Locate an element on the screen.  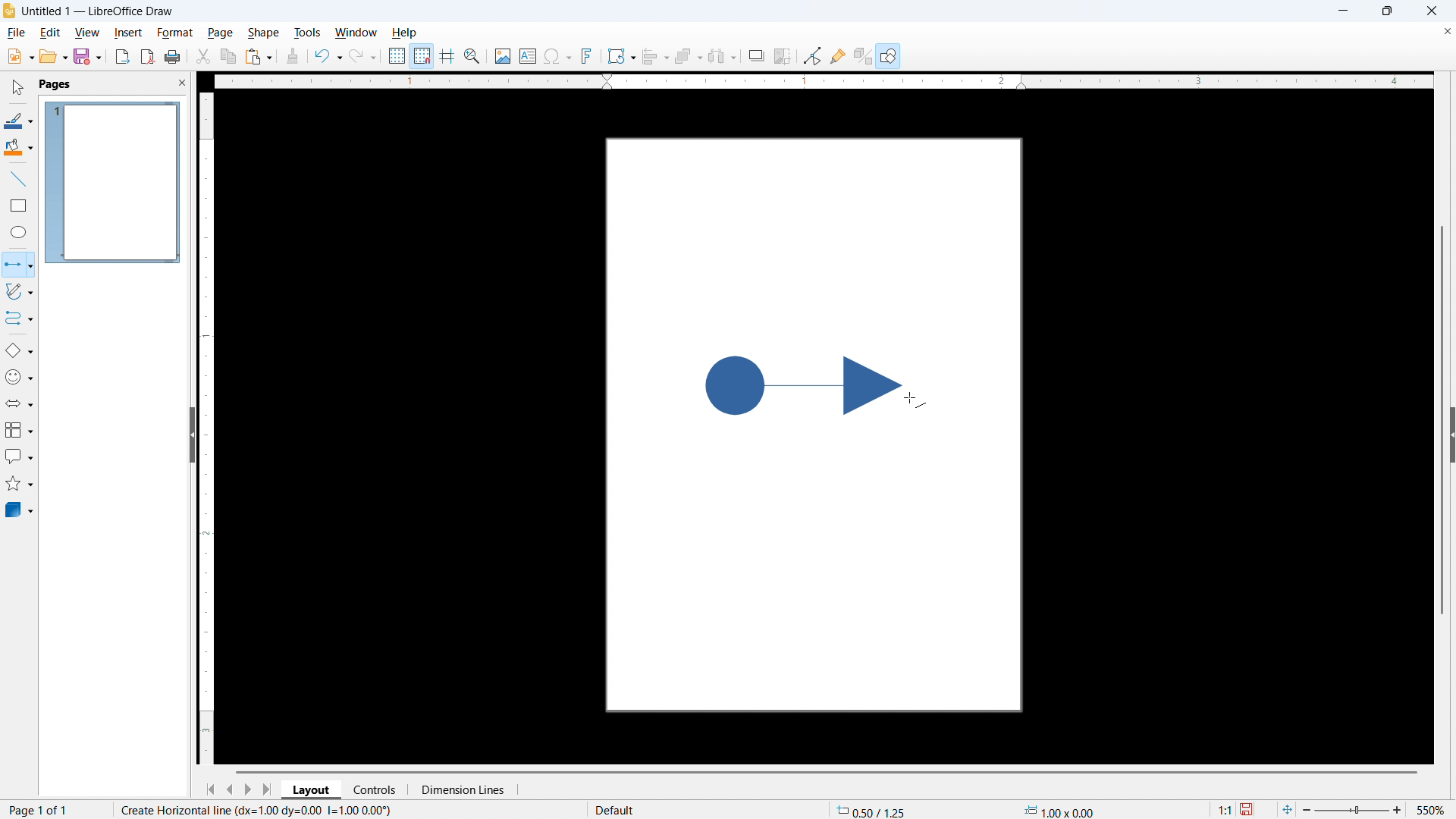
show Glue Point functions  is located at coordinates (837, 55).